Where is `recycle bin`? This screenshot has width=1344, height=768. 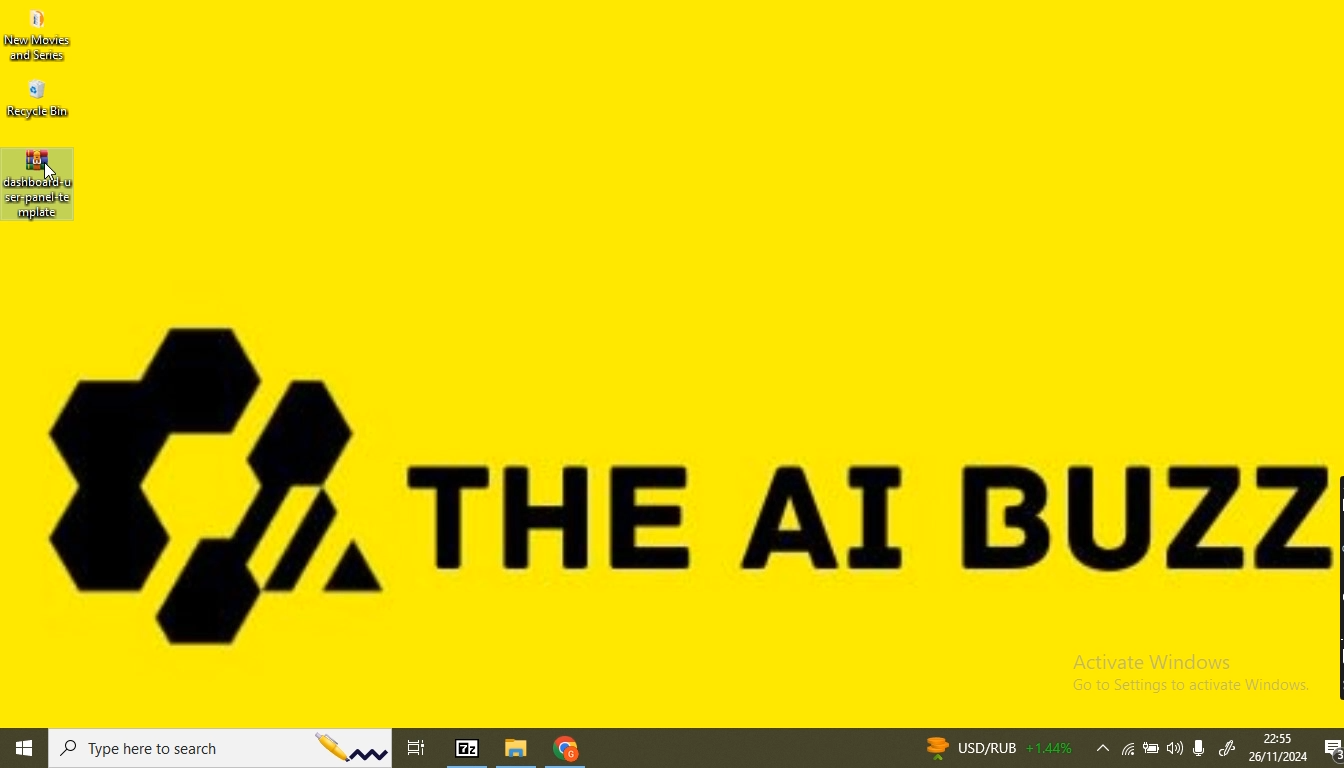
recycle bin is located at coordinates (39, 100).